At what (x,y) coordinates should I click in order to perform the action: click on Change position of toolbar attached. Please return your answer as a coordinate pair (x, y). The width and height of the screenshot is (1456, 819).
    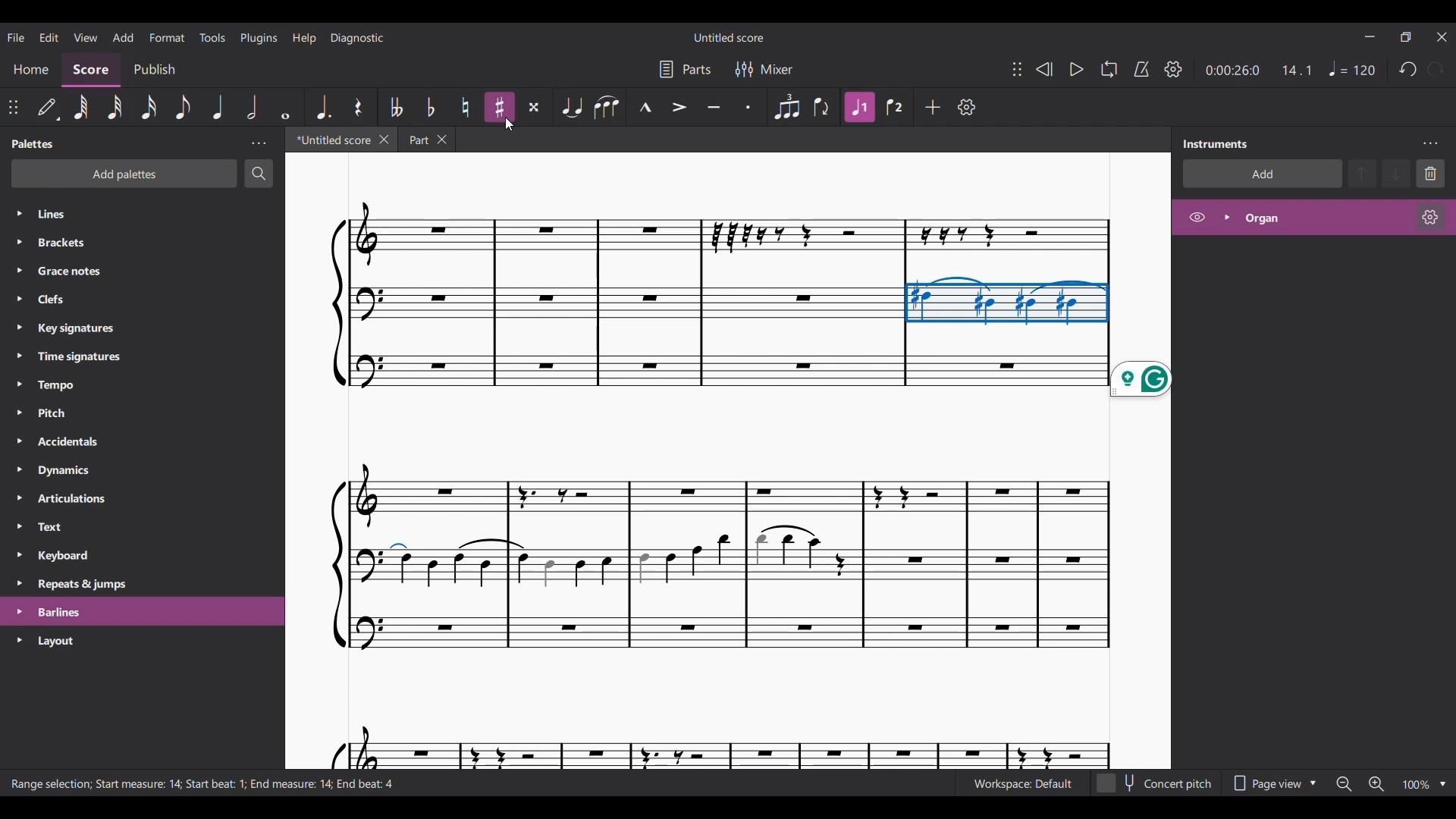
    Looking at the image, I should click on (1016, 69).